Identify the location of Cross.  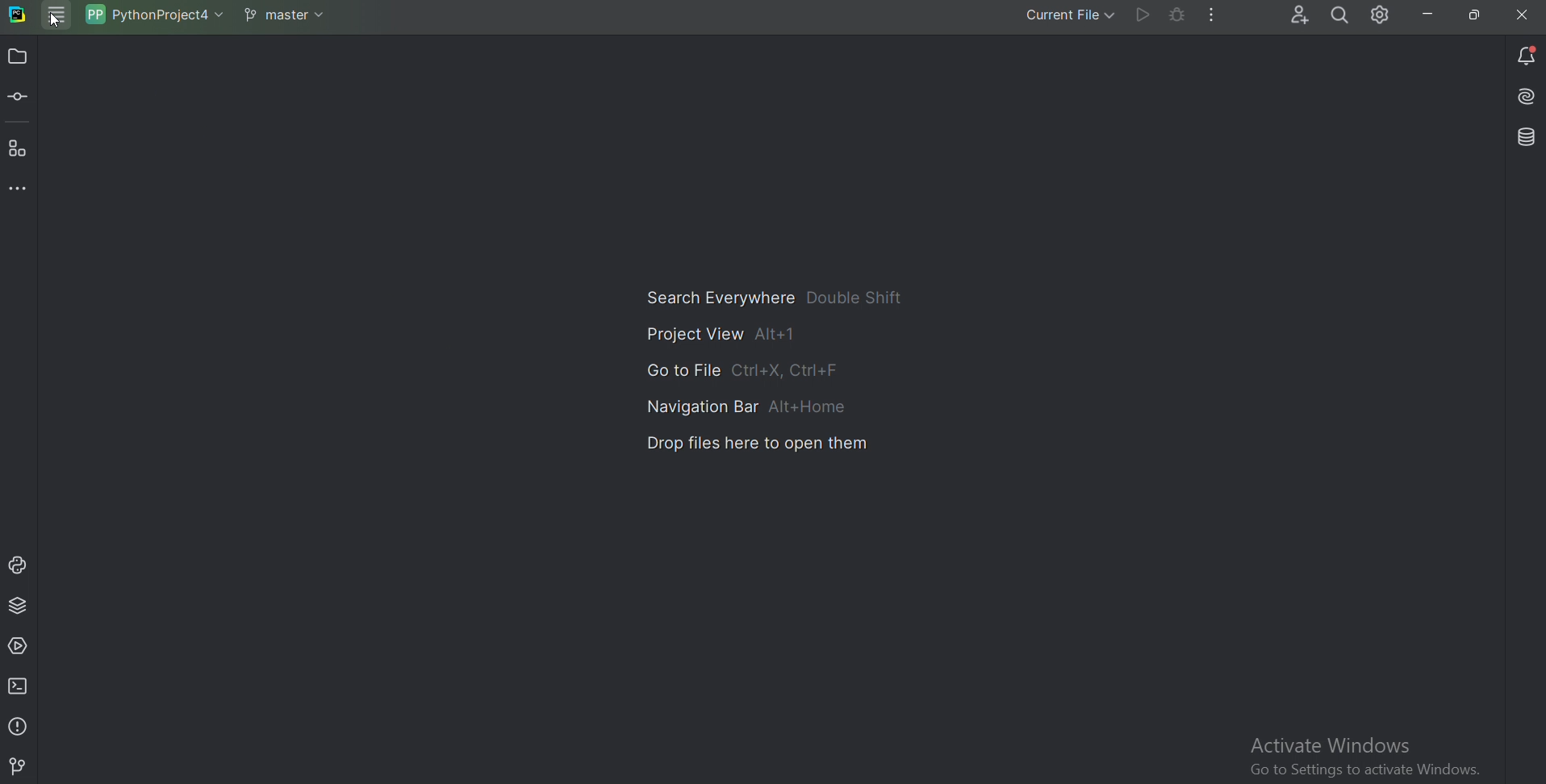
(1519, 15).